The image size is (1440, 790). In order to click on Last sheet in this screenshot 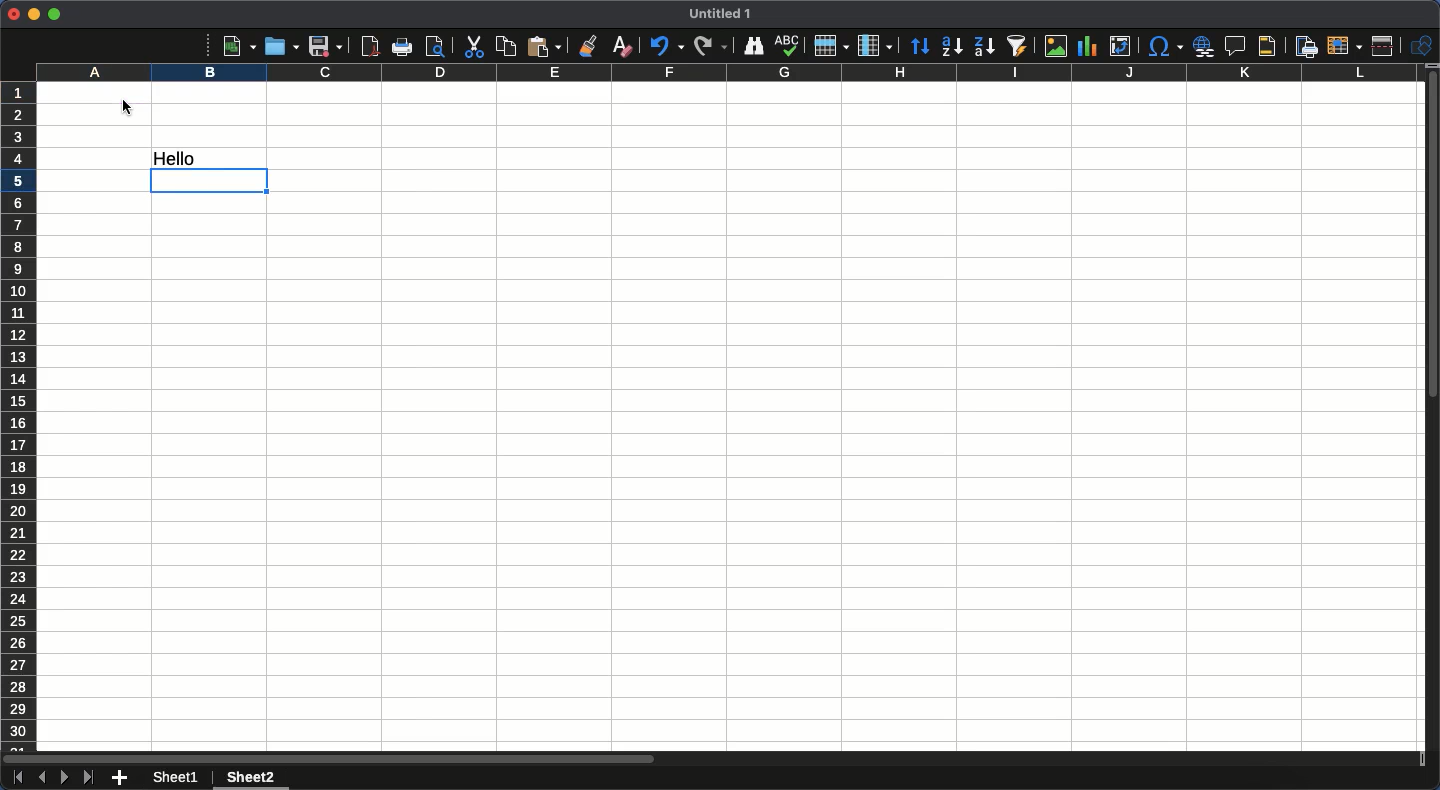, I will do `click(88, 777)`.